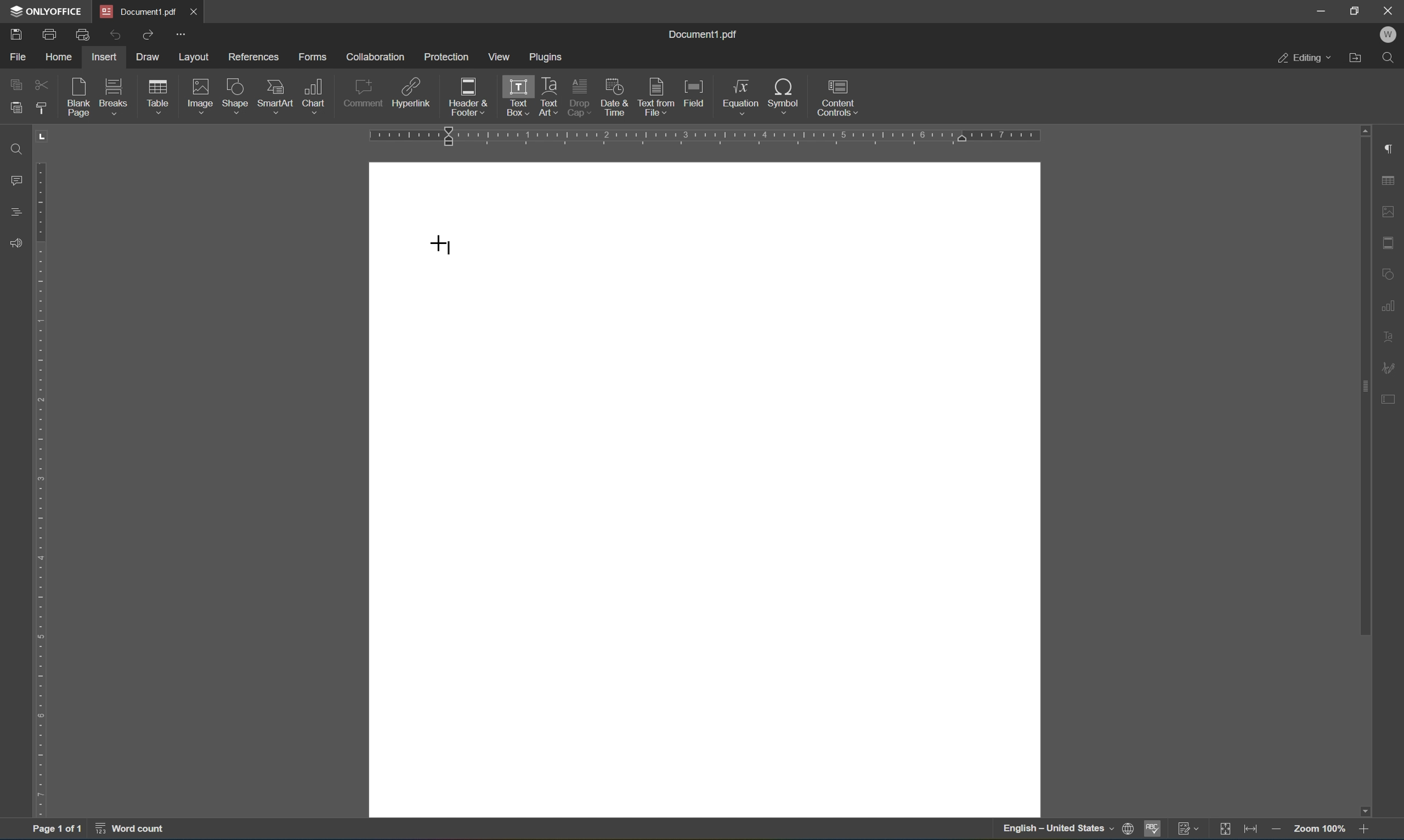 The width and height of the screenshot is (1404, 840). Describe the element at coordinates (547, 95) in the screenshot. I see `text art` at that location.